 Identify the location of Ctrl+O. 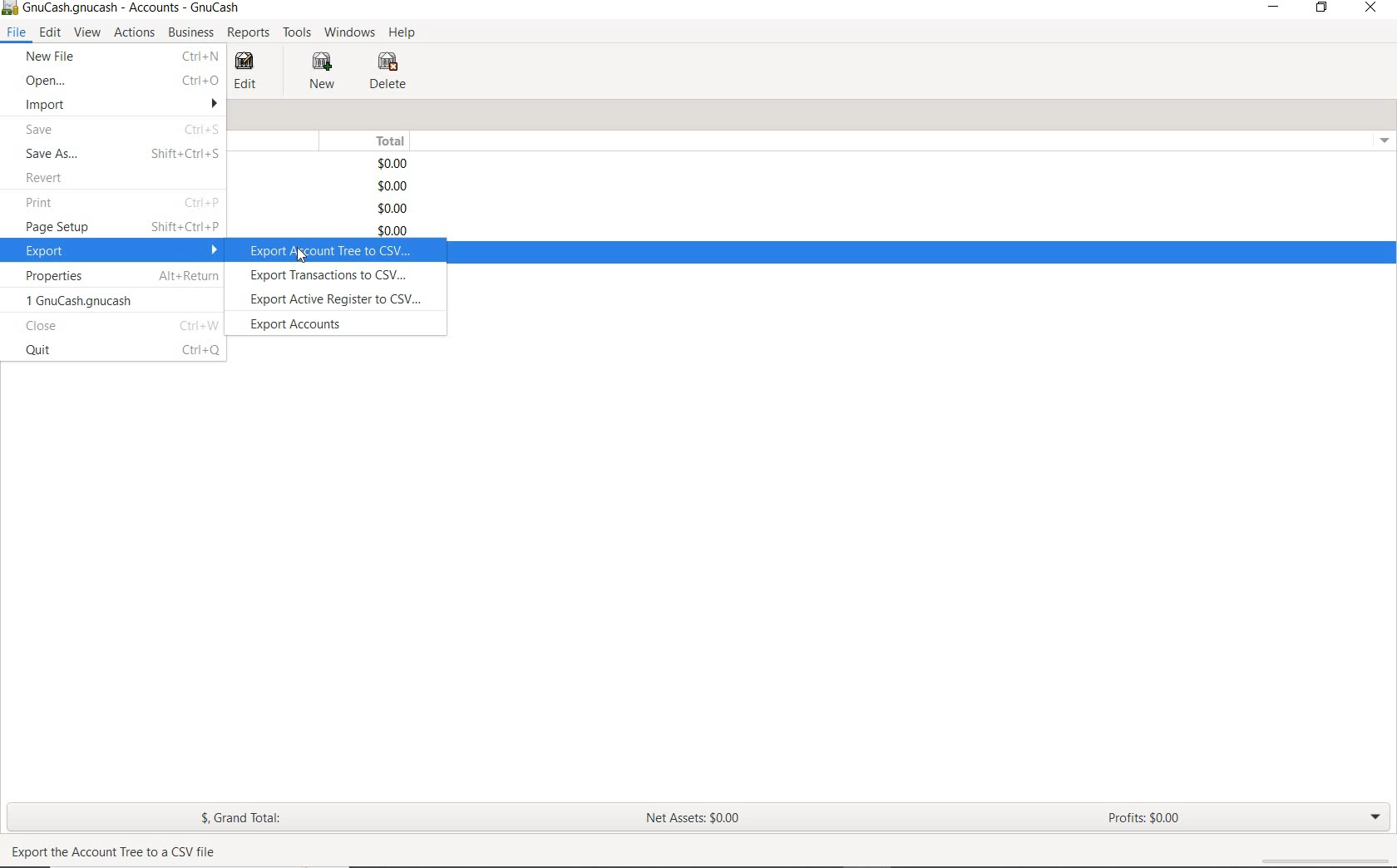
(200, 81).